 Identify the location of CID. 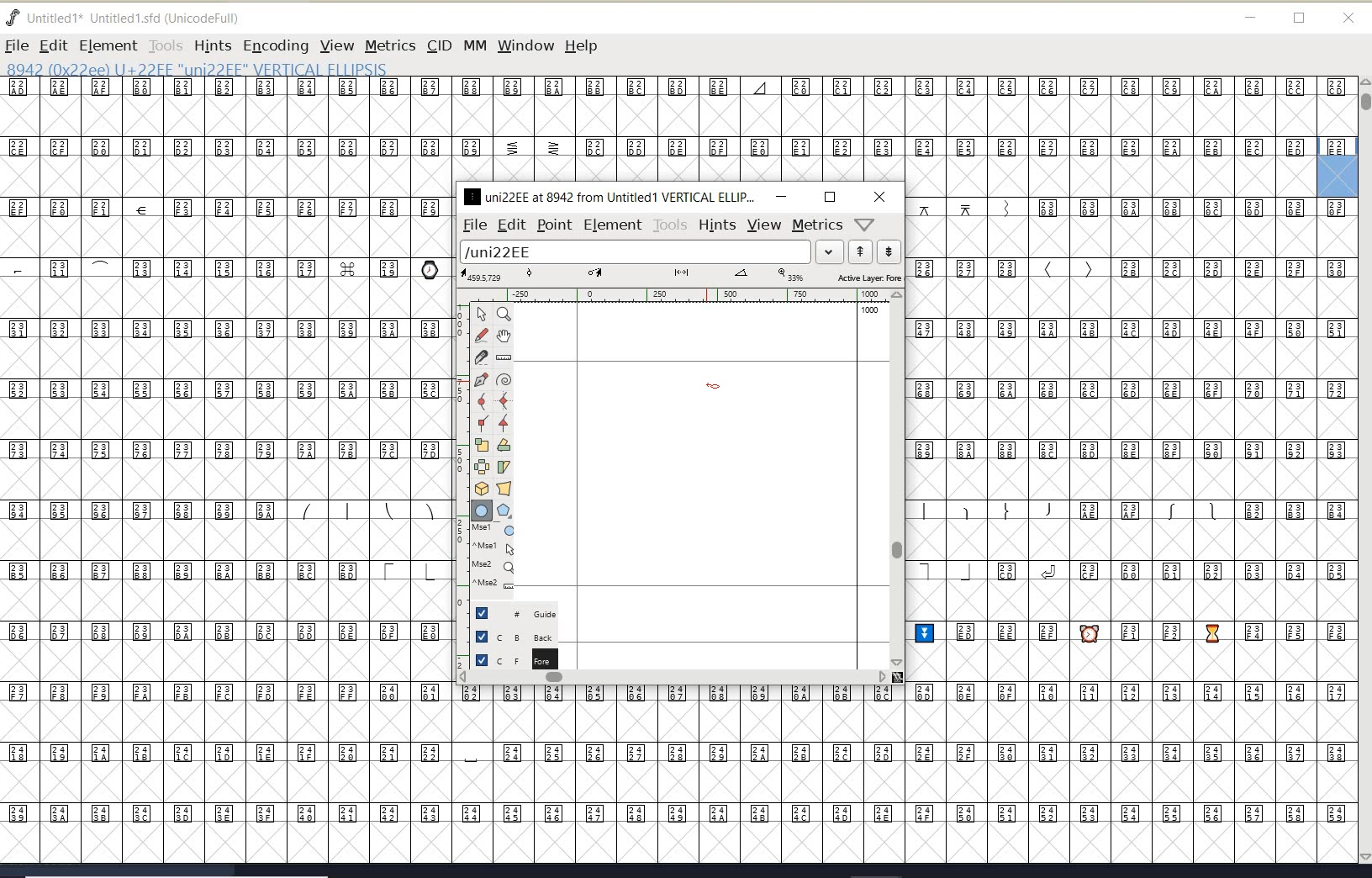
(438, 45).